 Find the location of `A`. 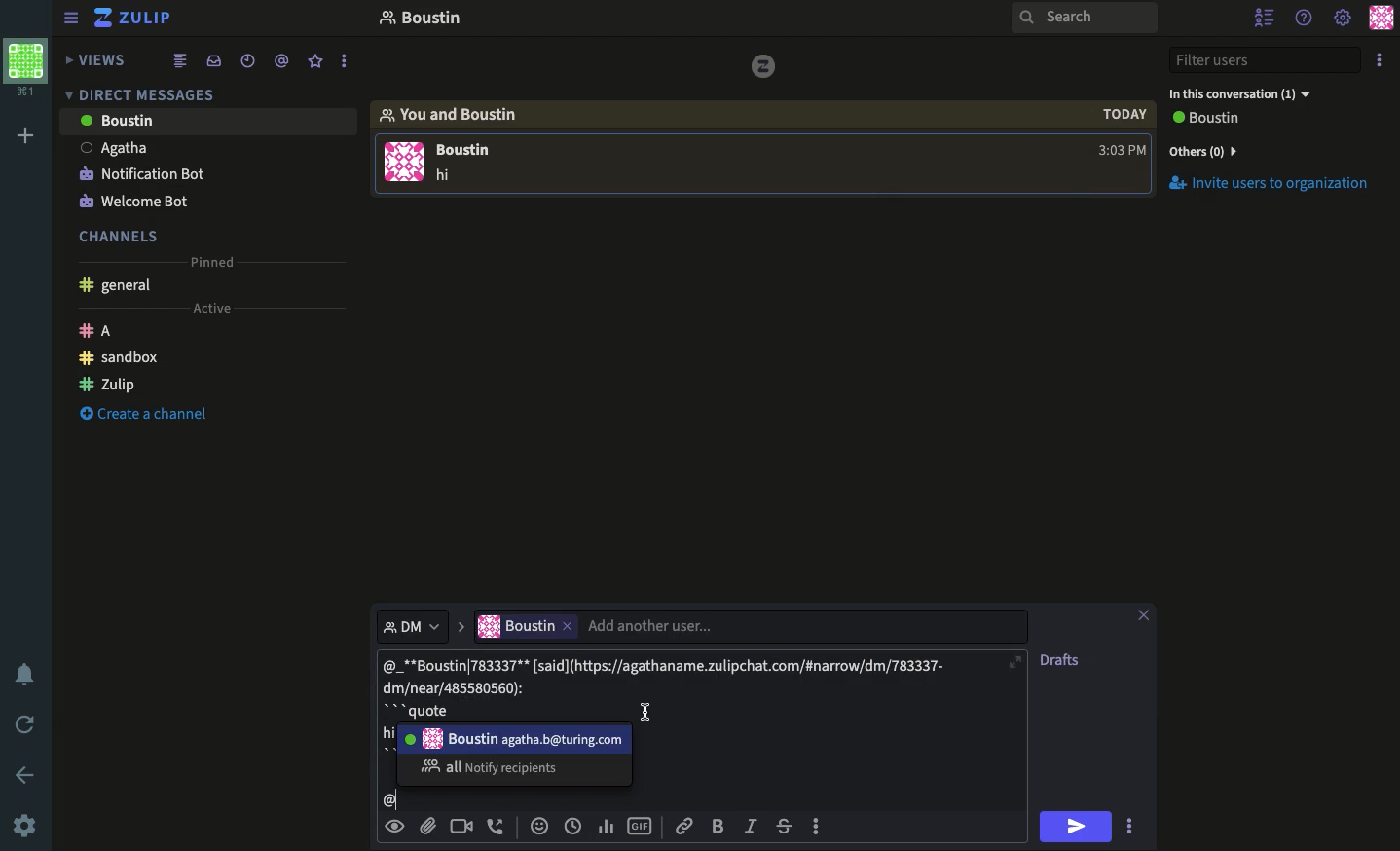

A is located at coordinates (101, 329).